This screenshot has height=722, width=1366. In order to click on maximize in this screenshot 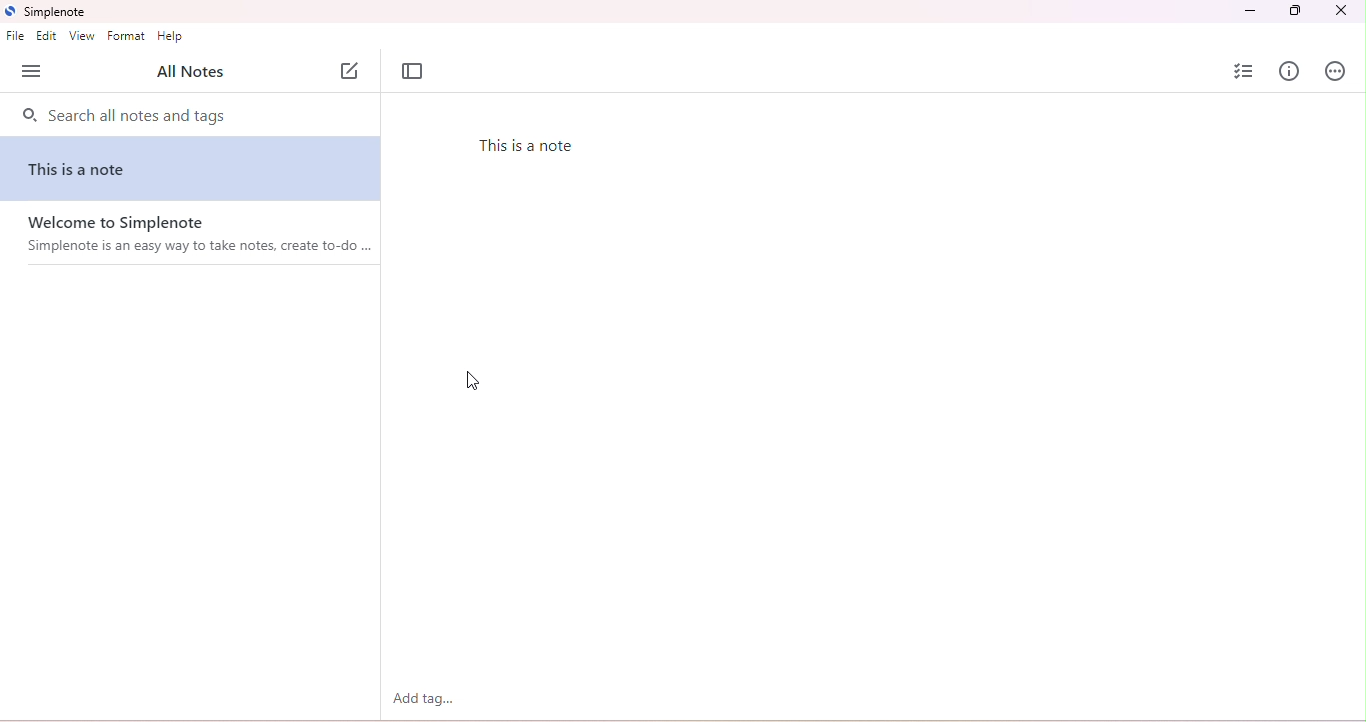, I will do `click(1296, 12)`.